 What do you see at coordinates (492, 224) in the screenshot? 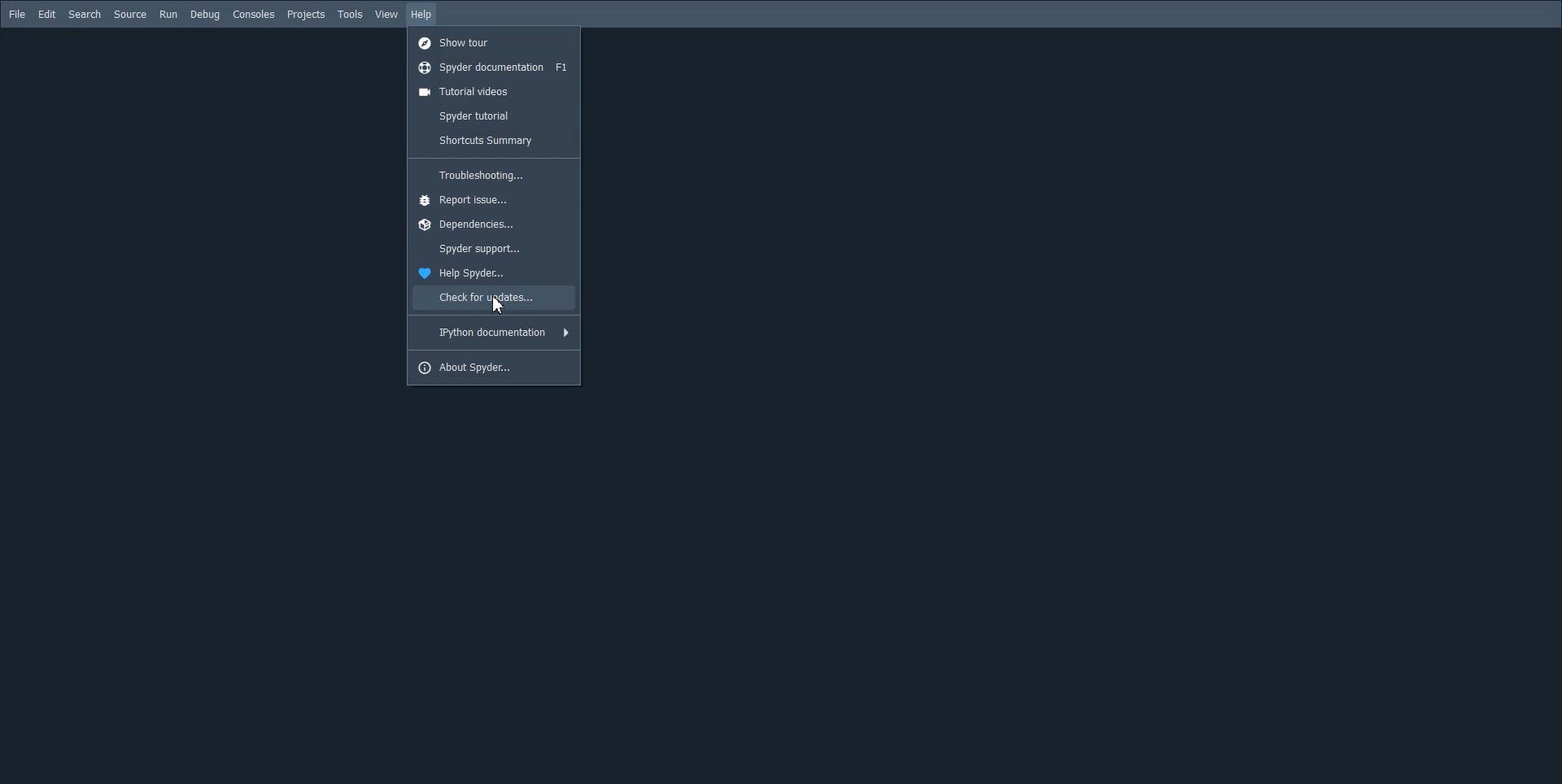
I see `Dependencies` at bounding box center [492, 224].